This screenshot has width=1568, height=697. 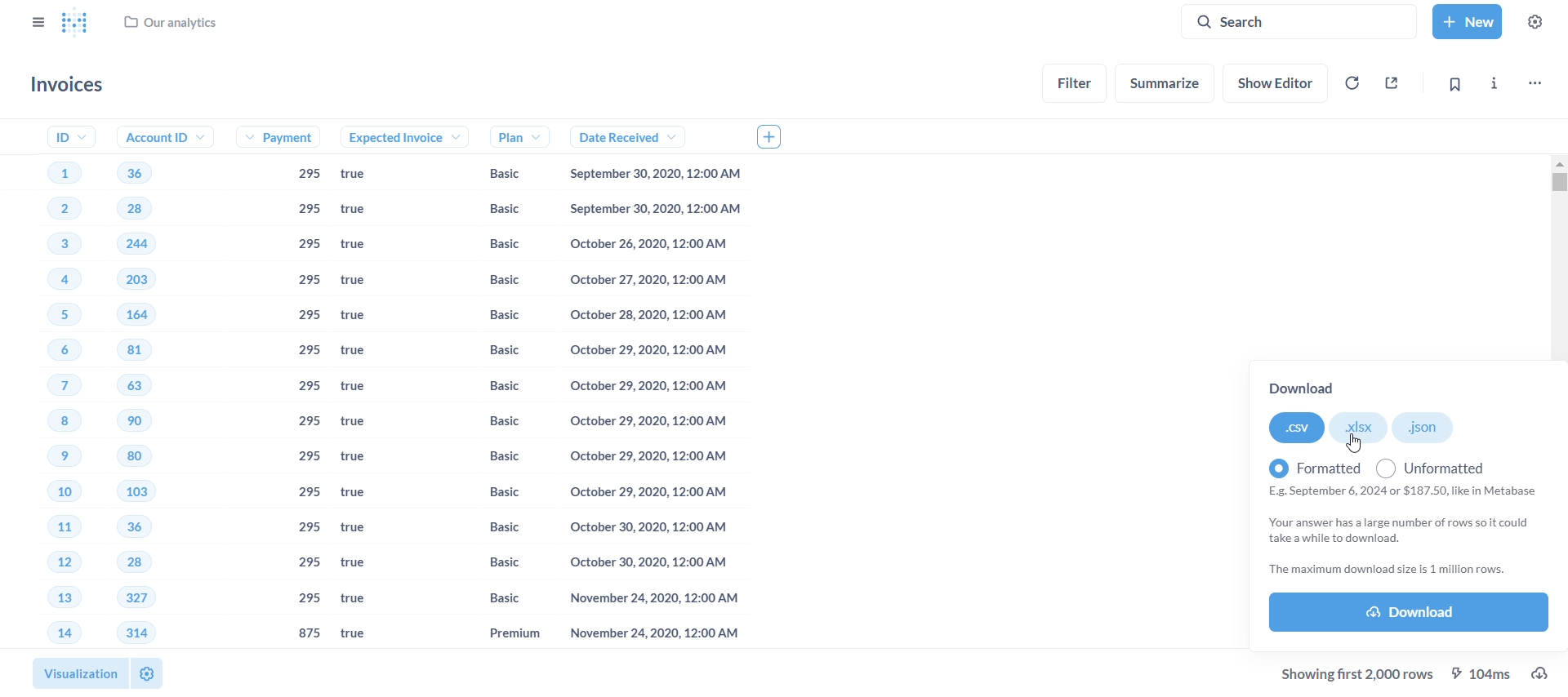 What do you see at coordinates (126, 563) in the screenshot?
I see `28` at bounding box center [126, 563].